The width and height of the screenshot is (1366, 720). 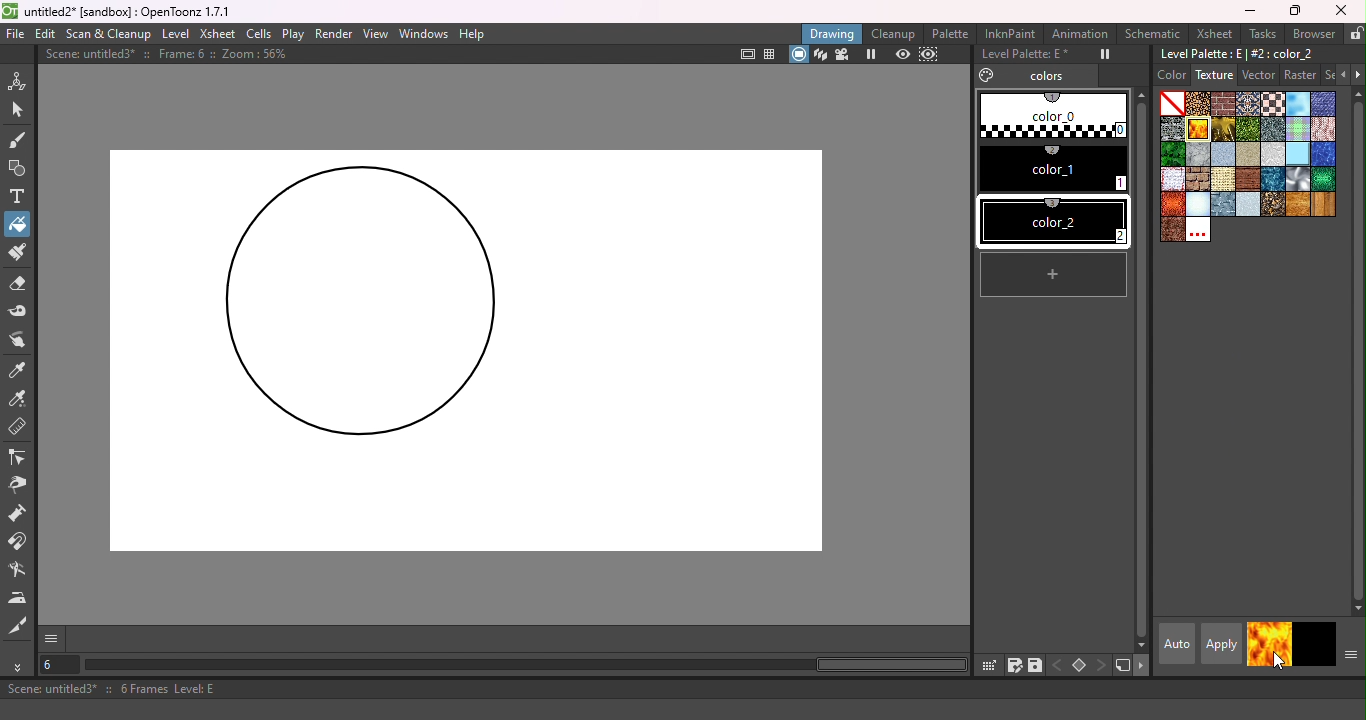 What do you see at coordinates (1358, 350) in the screenshot?
I see `vertical scroll bar` at bounding box center [1358, 350].